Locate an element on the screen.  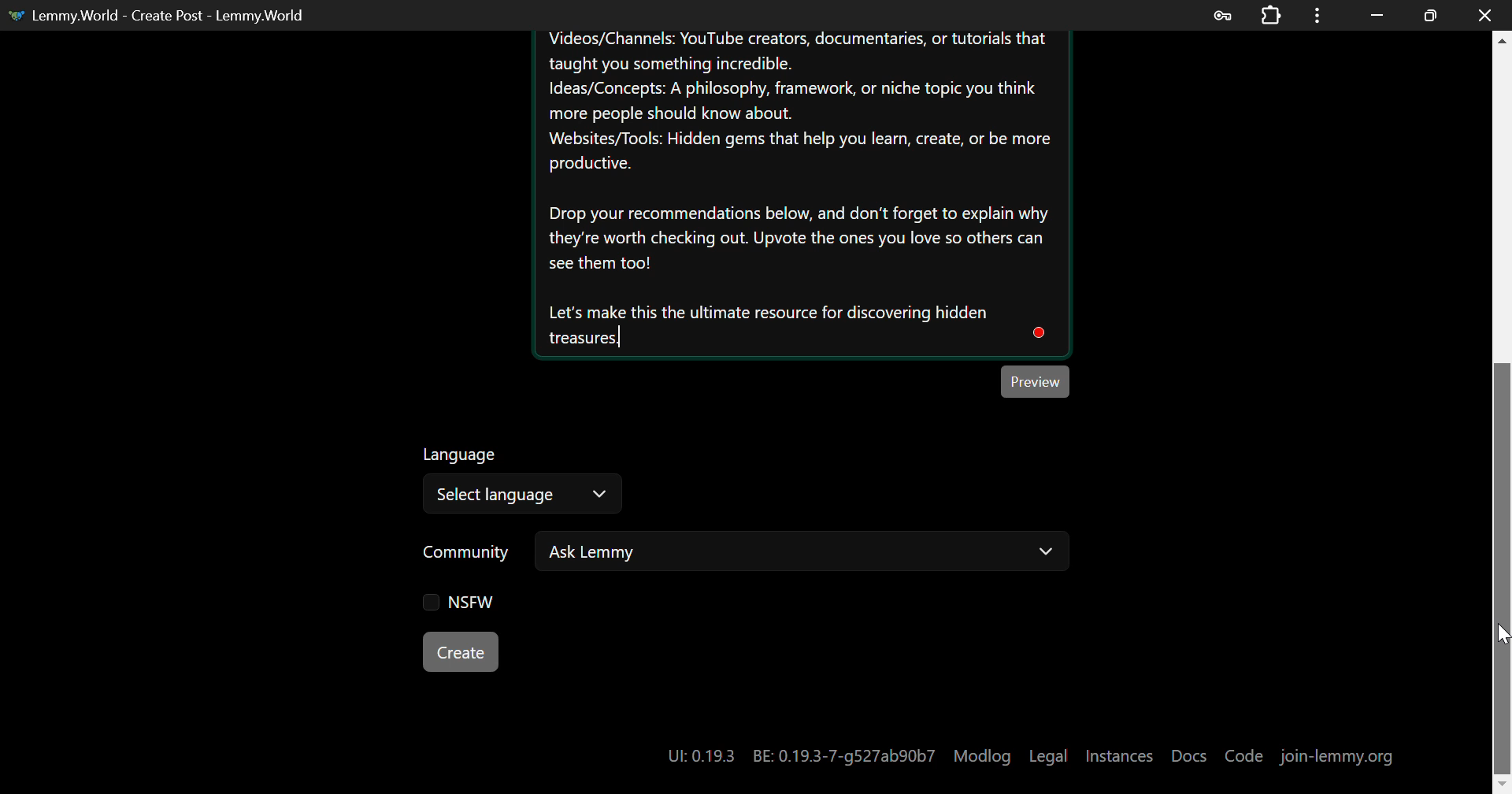
Menu is located at coordinates (1317, 15).